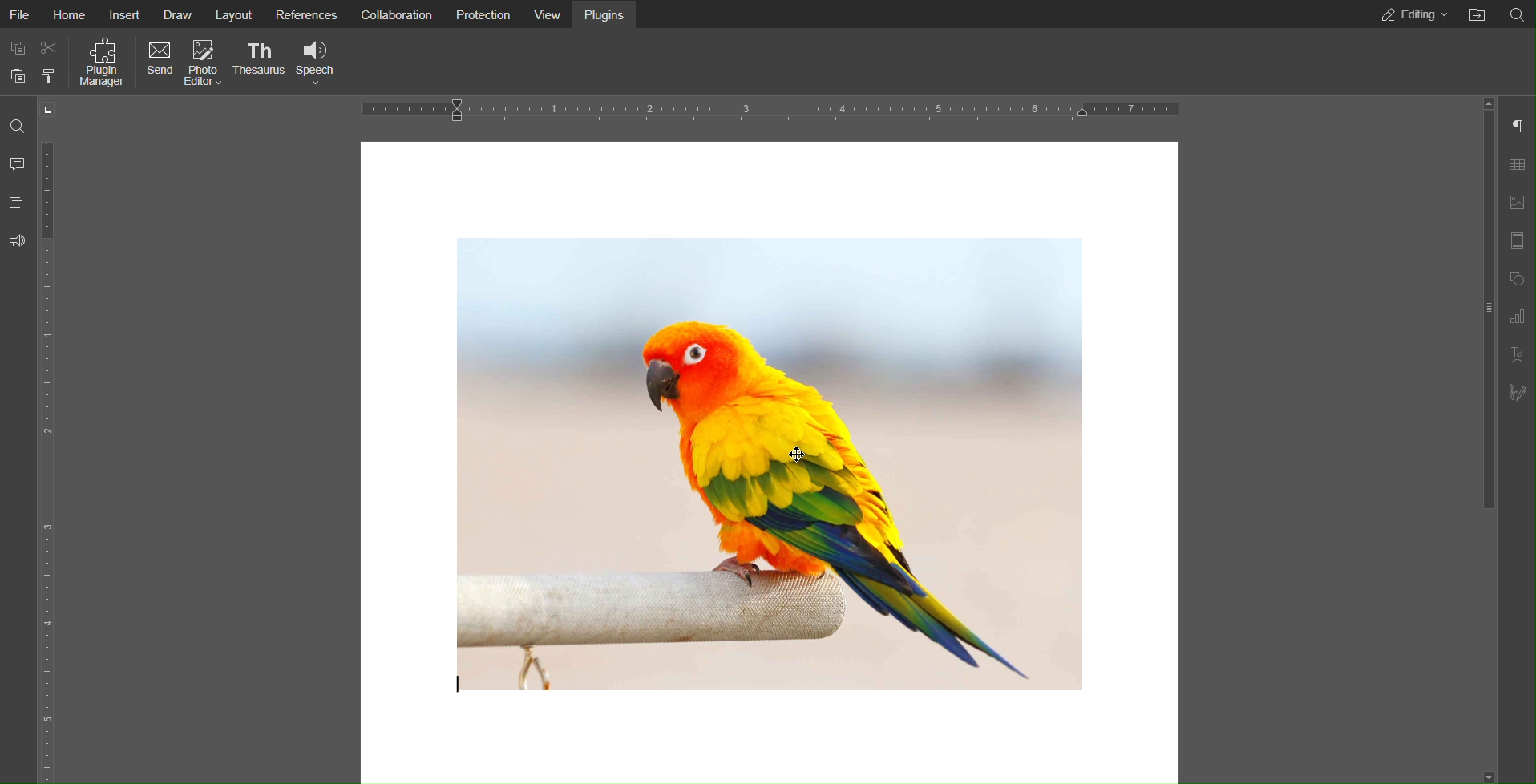  What do you see at coordinates (158, 63) in the screenshot?
I see `Send ` at bounding box center [158, 63].